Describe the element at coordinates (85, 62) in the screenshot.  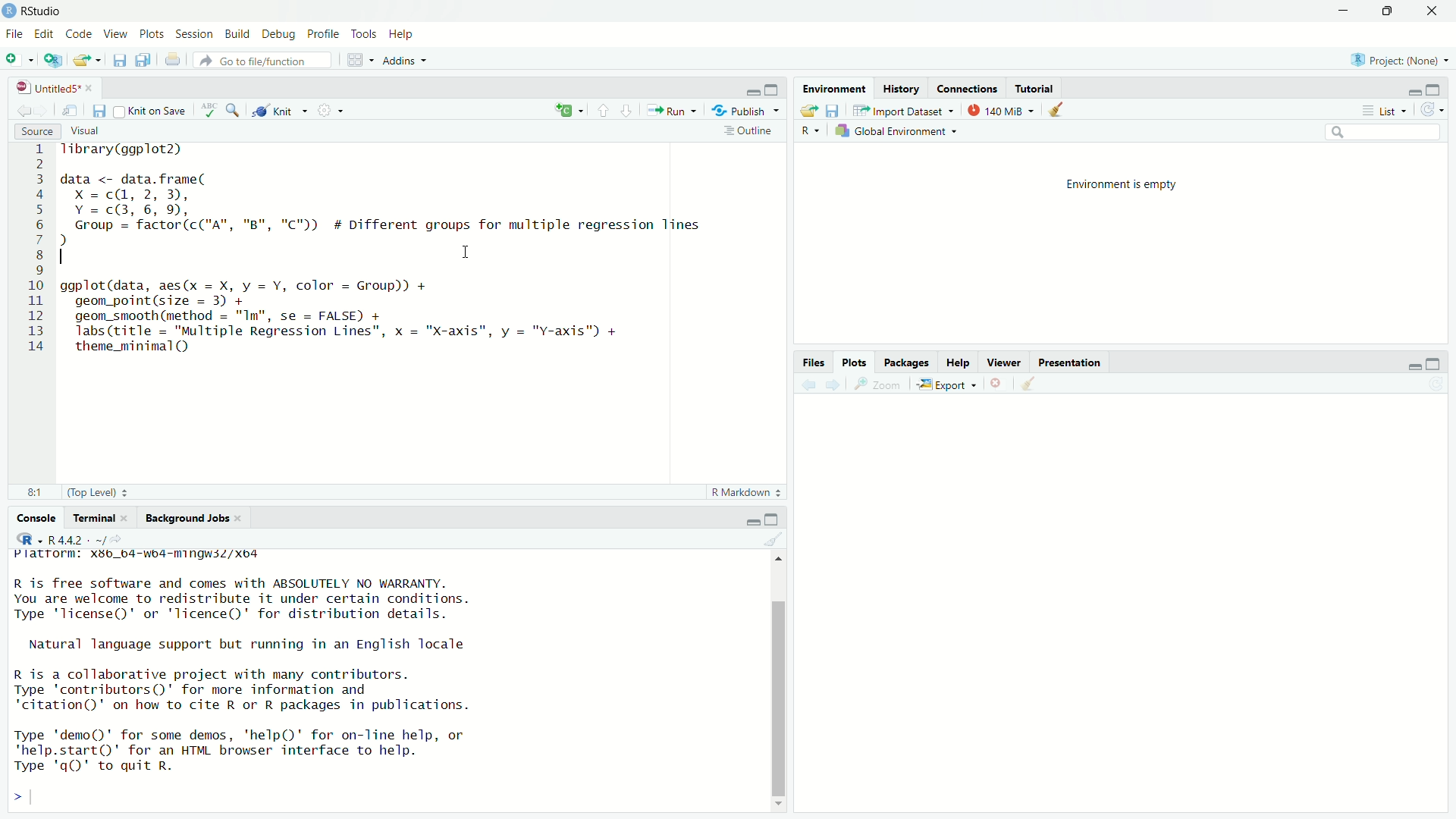
I see `export` at that location.